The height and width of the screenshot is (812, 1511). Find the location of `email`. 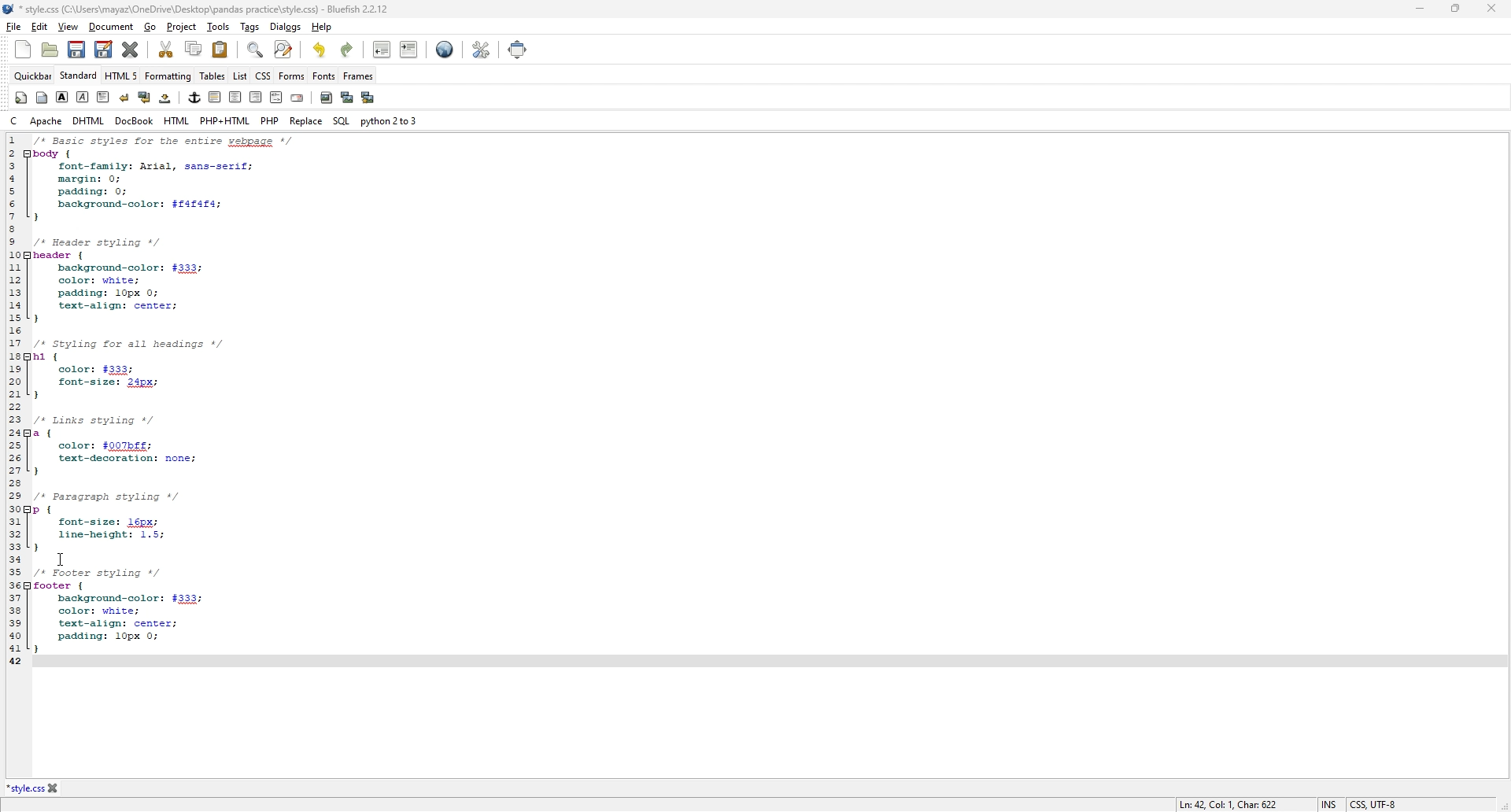

email is located at coordinates (297, 98).